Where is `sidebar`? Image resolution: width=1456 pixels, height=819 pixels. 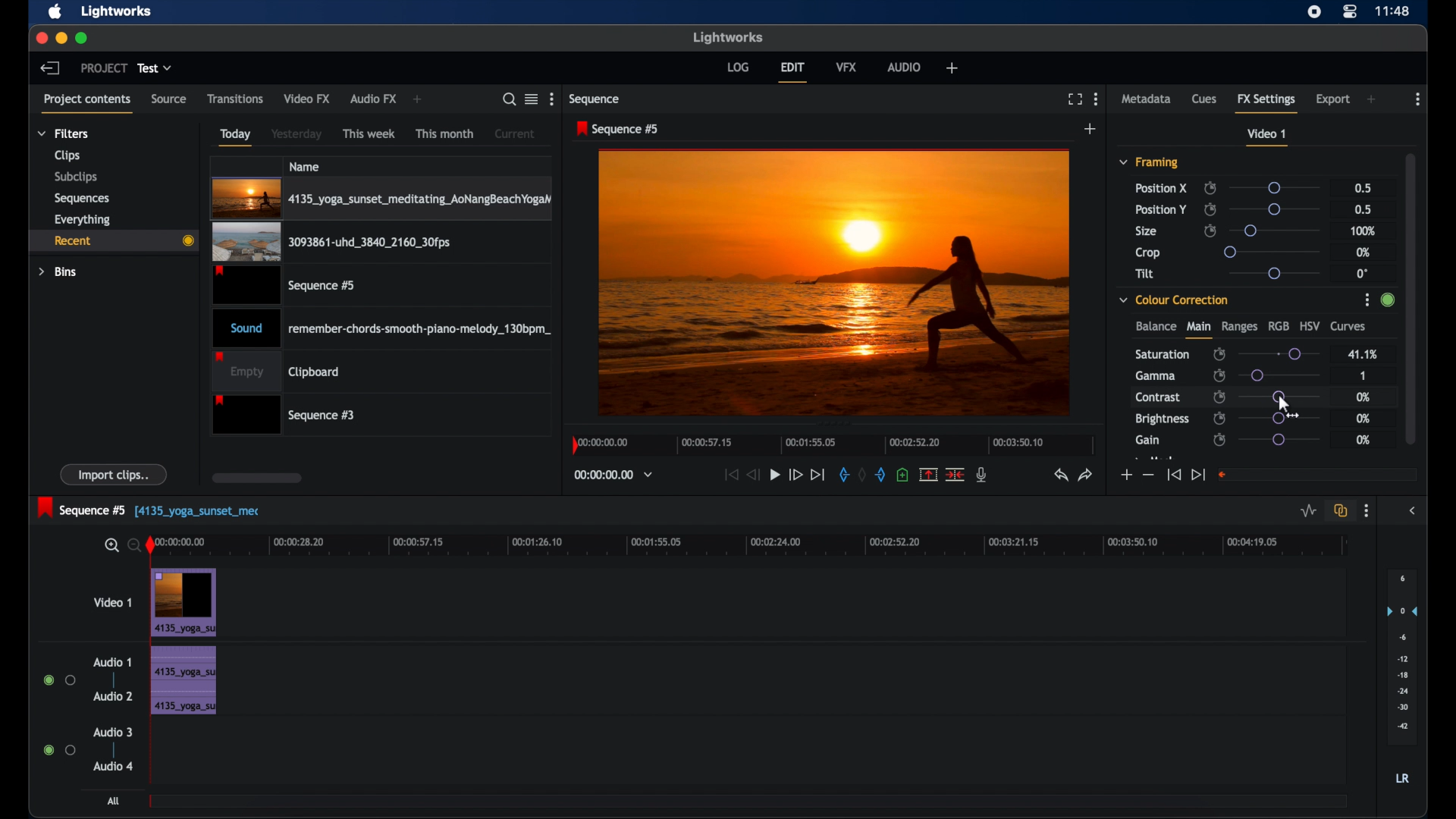
sidebar is located at coordinates (1414, 511).